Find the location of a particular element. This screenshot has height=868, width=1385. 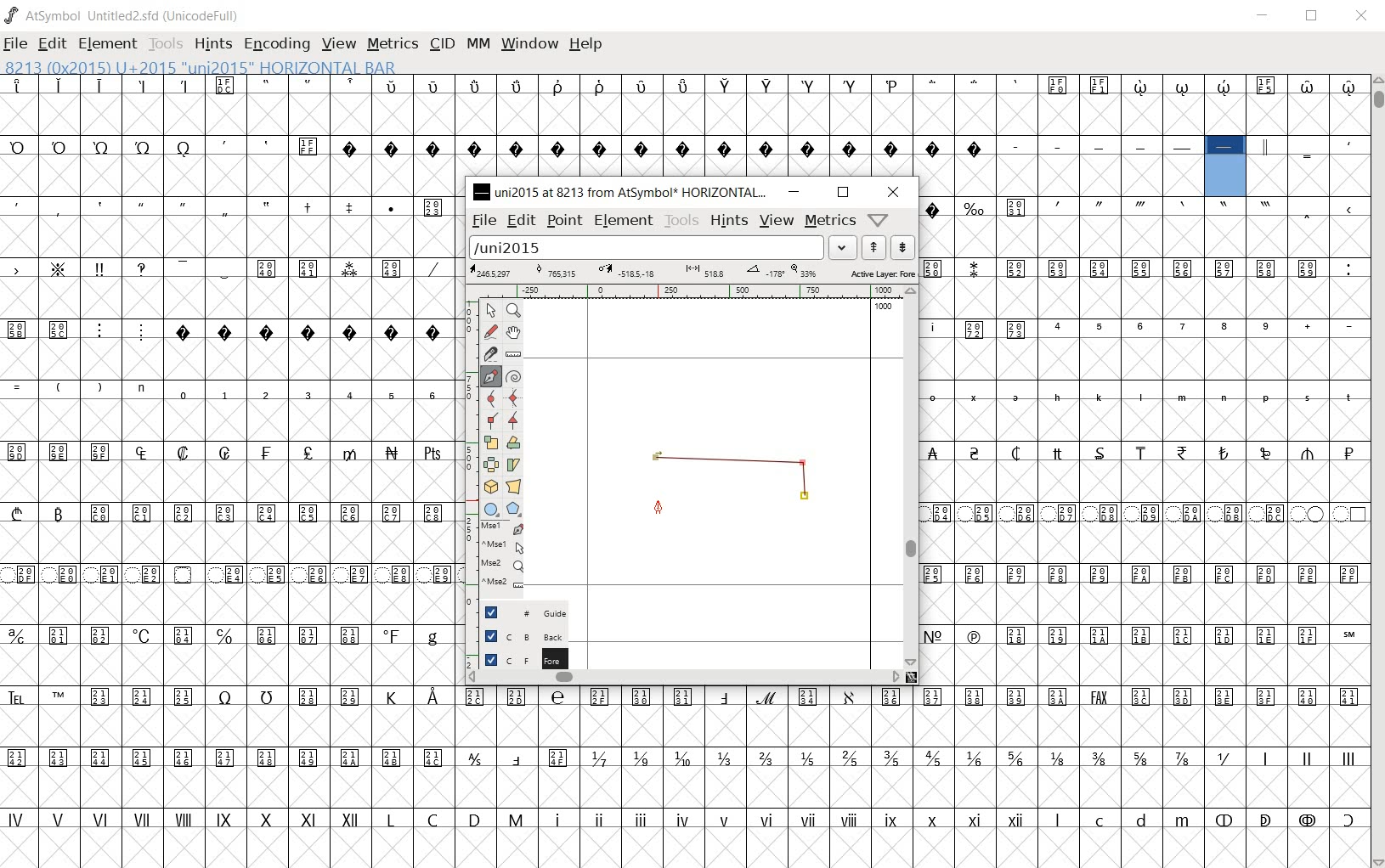

element is located at coordinates (625, 220).